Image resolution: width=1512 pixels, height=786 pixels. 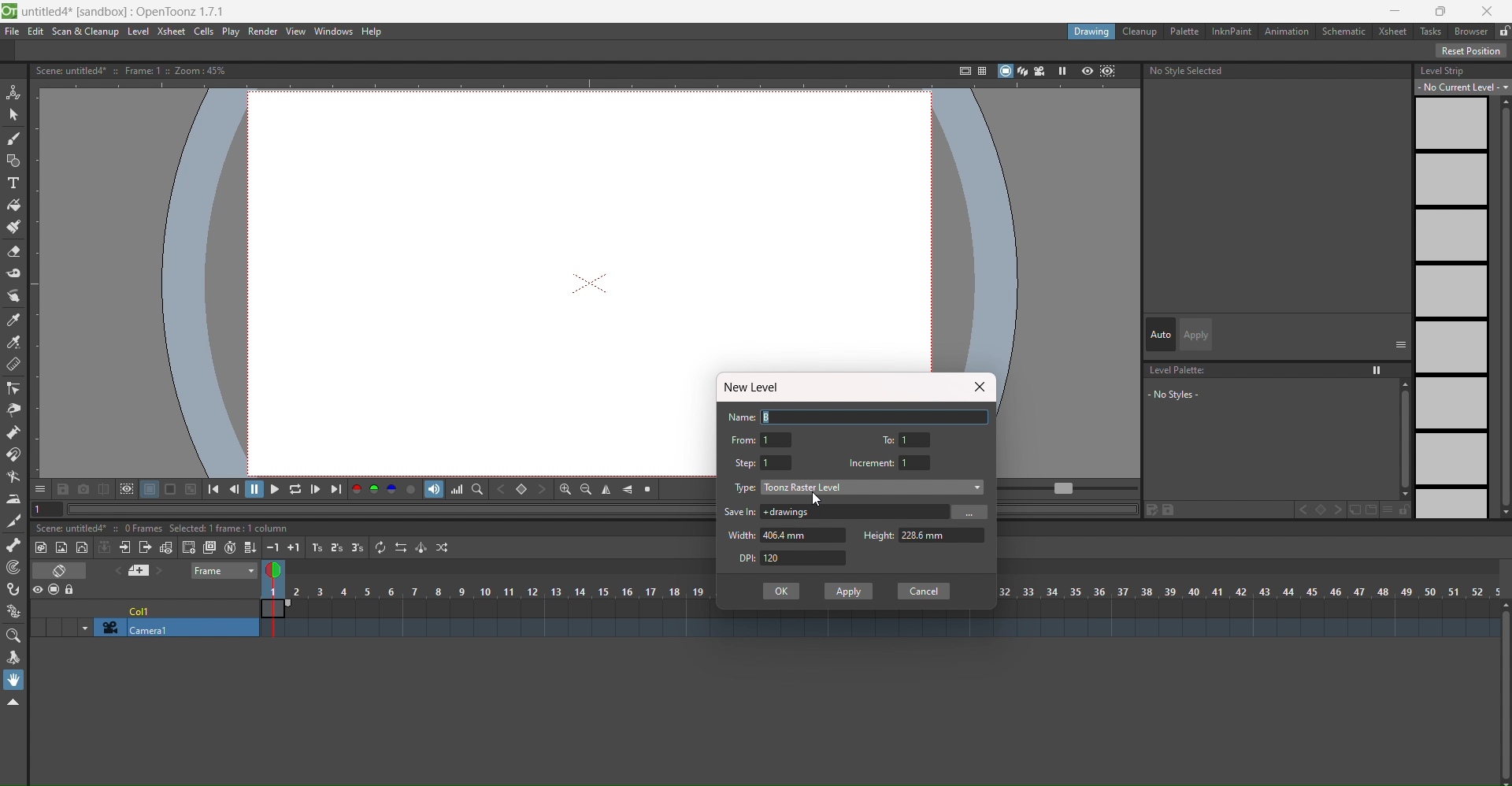 What do you see at coordinates (124, 547) in the screenshot?
I see `open sub xsheet` at bounding box center [124, 547].